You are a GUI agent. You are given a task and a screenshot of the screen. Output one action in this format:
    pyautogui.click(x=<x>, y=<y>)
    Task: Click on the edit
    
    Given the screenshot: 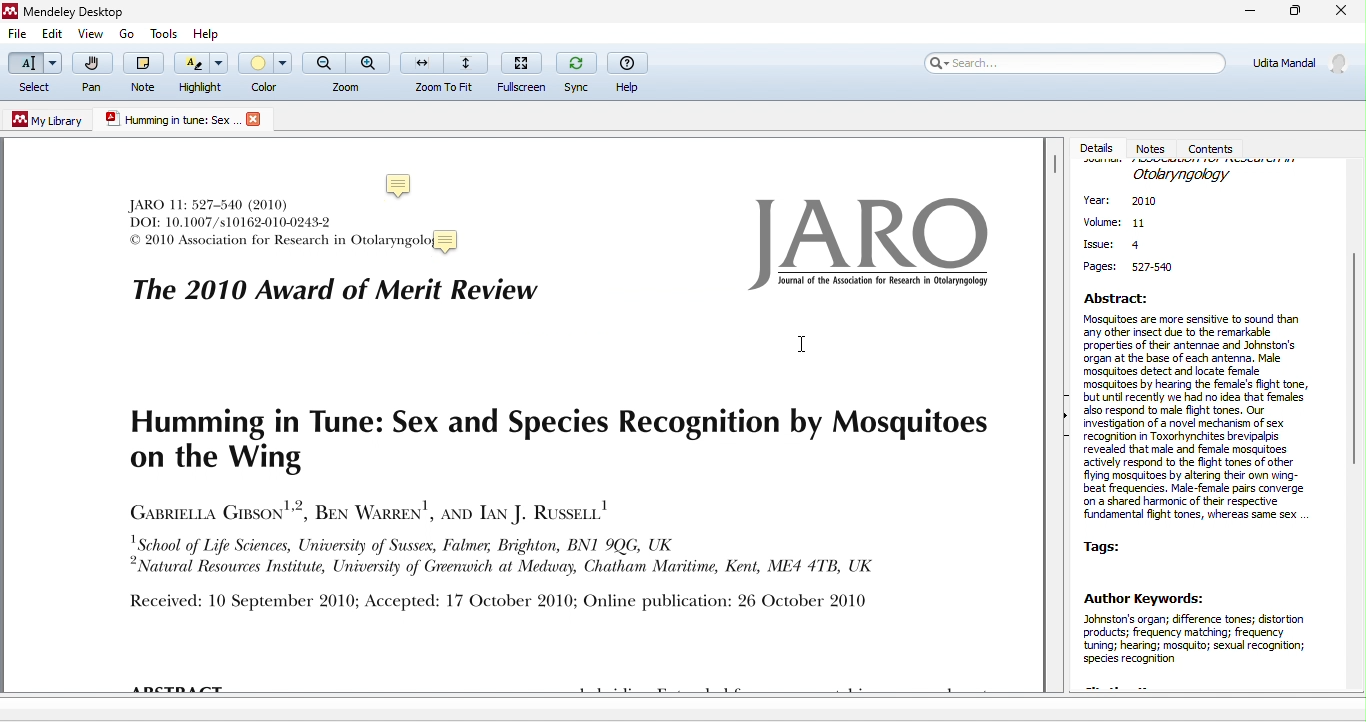 What is the action you would take?
    pyautogui.click(x=53, y=36)
    